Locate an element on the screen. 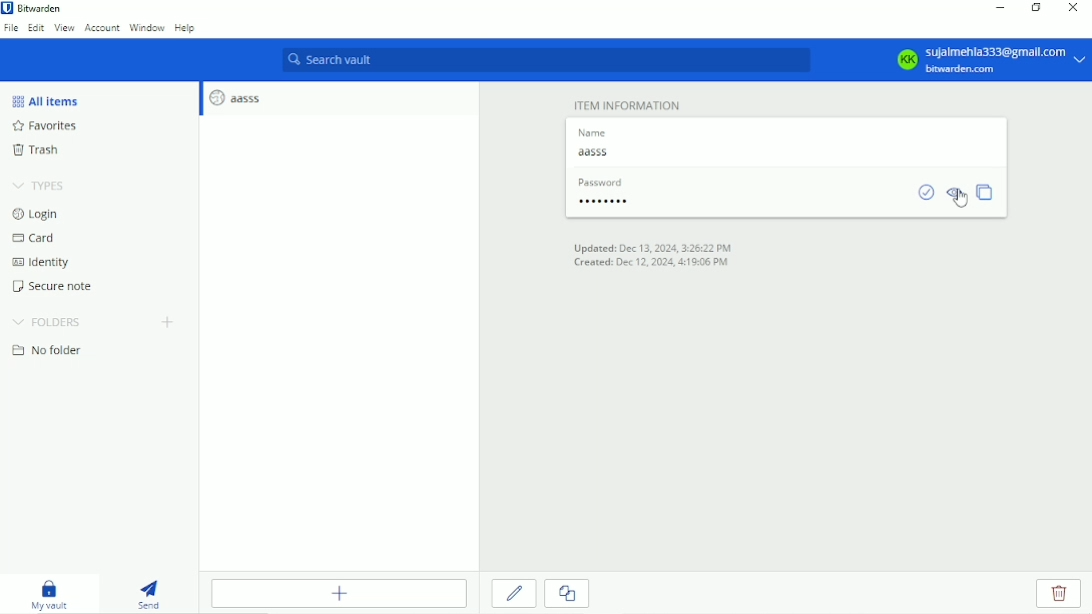 This screenshot has width=1092, height=614. Card is located at coordinates (37, 238).